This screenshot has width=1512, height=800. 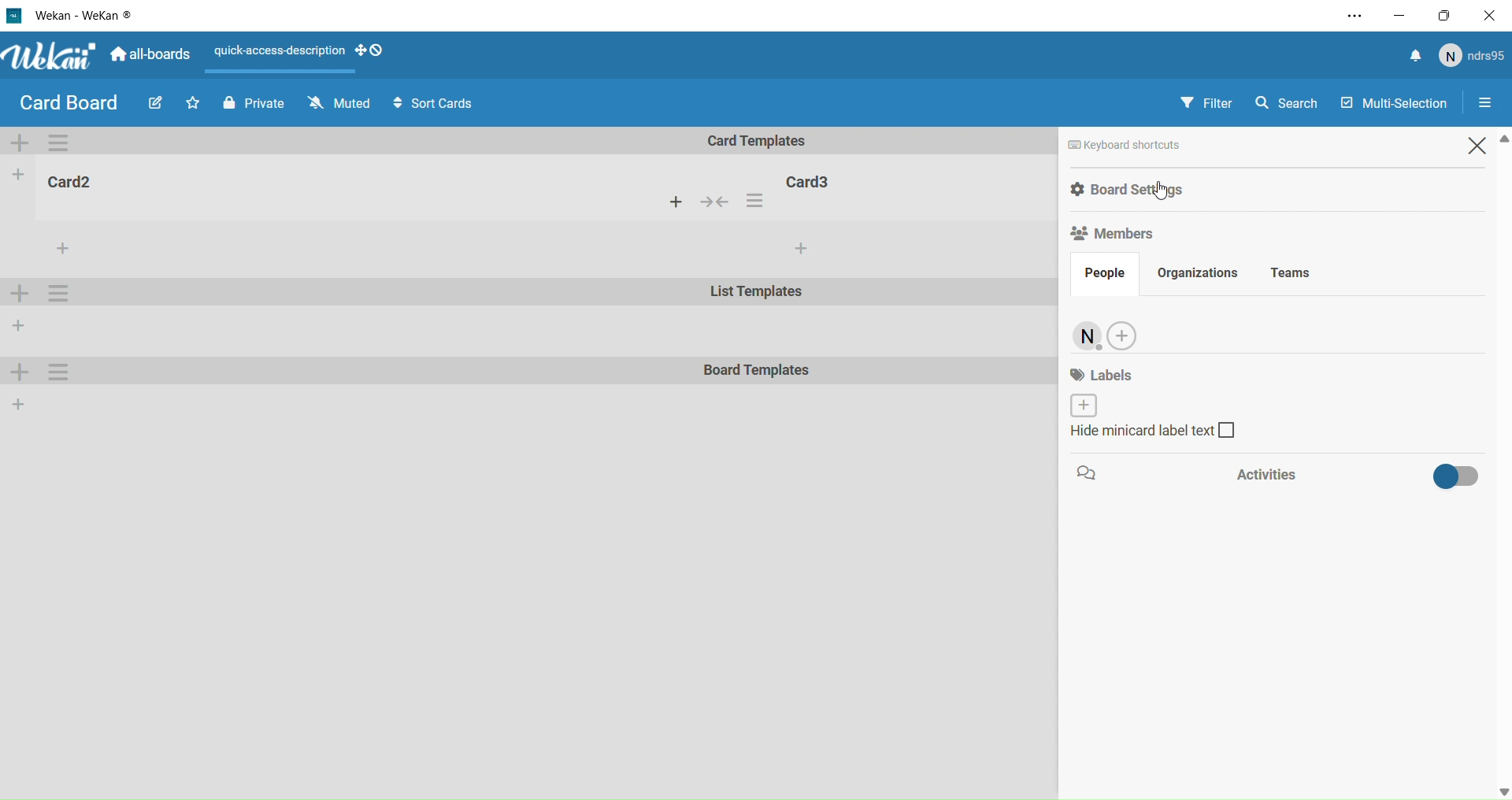 What do you see at coordinates (440, 104) in the screenshot?
I see `Sort Cards` at bounding box center [440, 104].